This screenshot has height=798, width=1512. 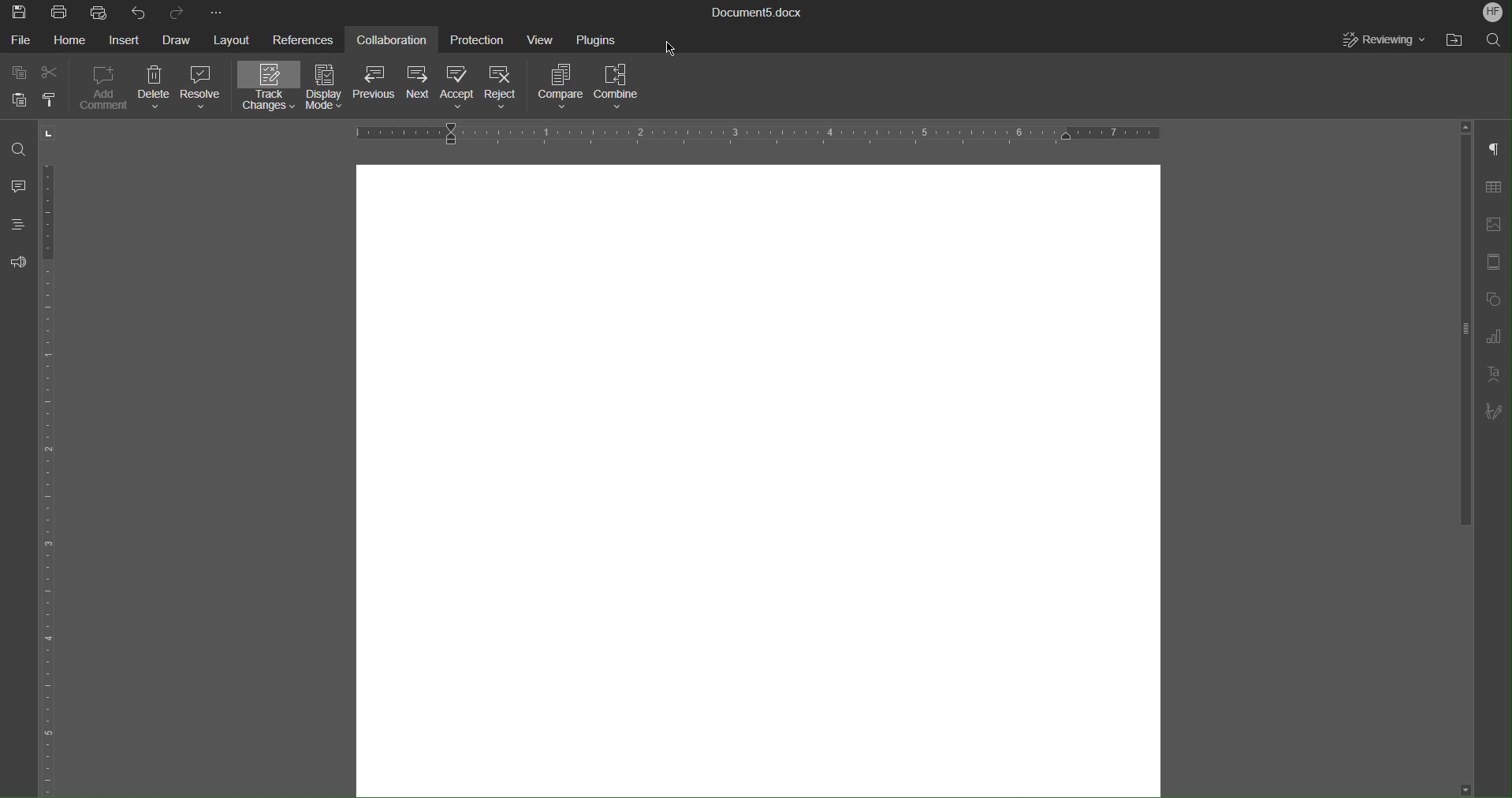 I want to click on Add Comment, so click(x=106, y=91).